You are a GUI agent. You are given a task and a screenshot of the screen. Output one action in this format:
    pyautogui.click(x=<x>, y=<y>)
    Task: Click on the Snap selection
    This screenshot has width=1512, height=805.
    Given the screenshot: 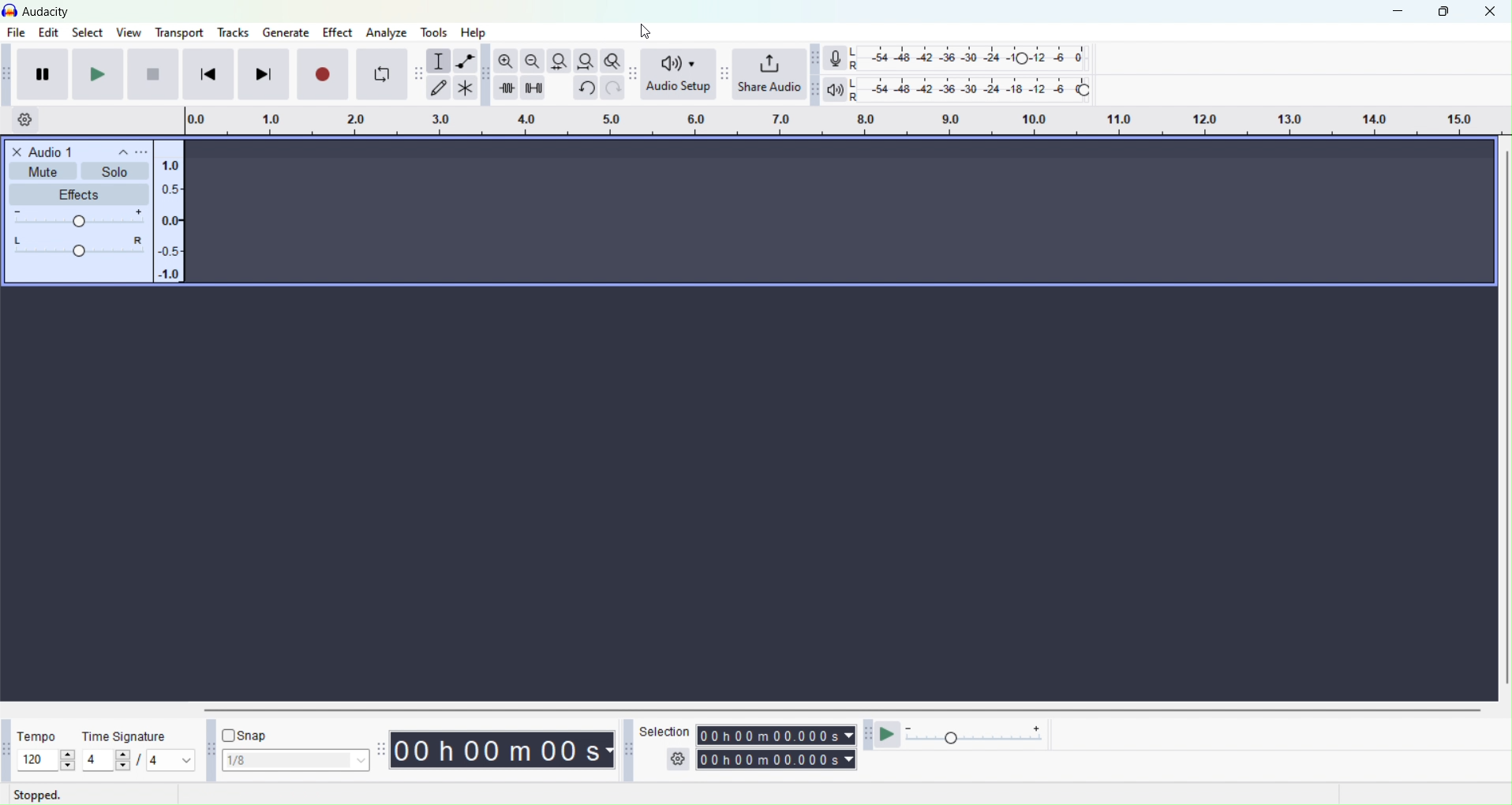 What is the action you would take?
    pyautogui.click(x=294, y=761)
    